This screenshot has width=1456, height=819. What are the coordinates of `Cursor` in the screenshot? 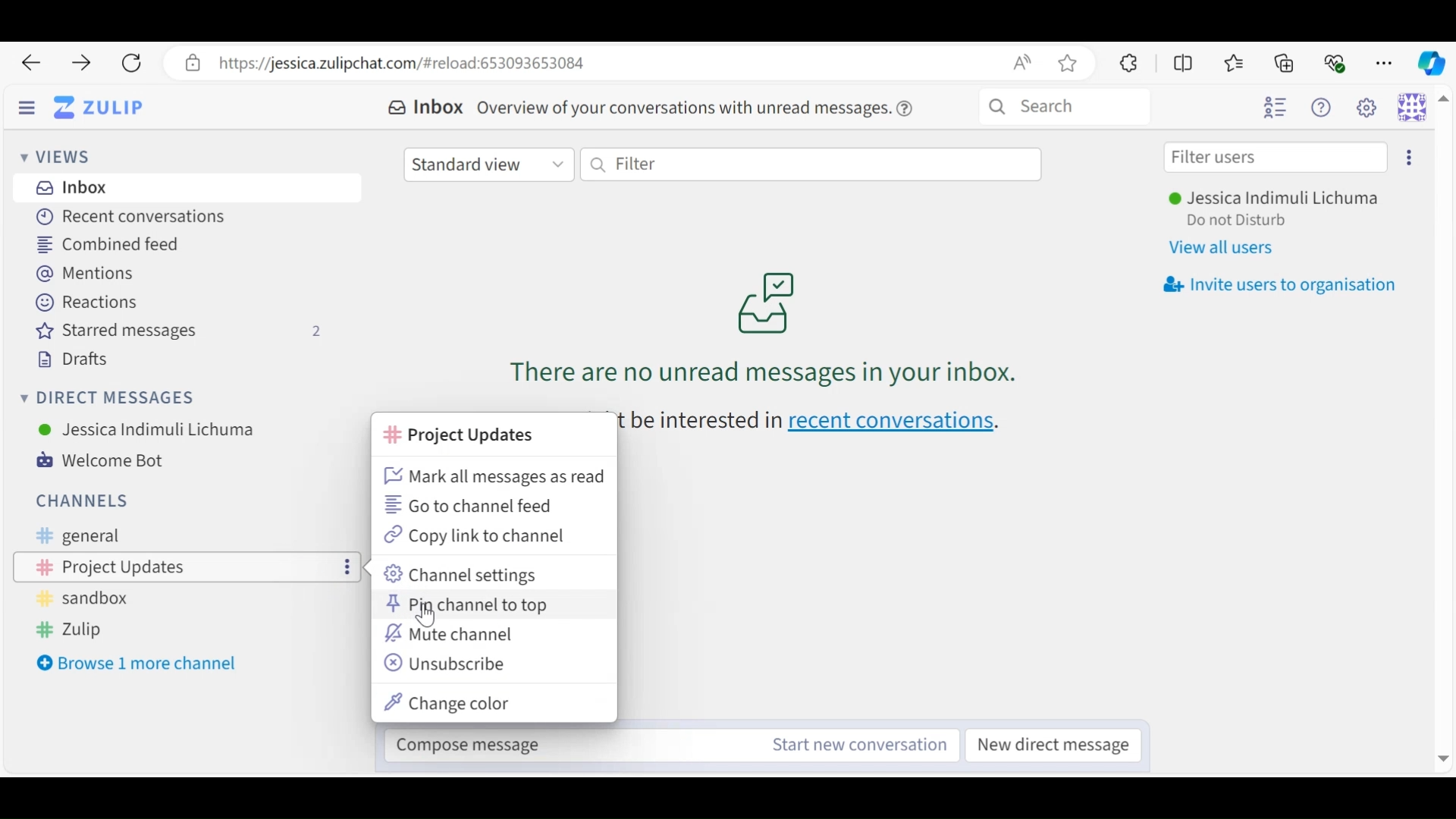 It's located at (428, 618).